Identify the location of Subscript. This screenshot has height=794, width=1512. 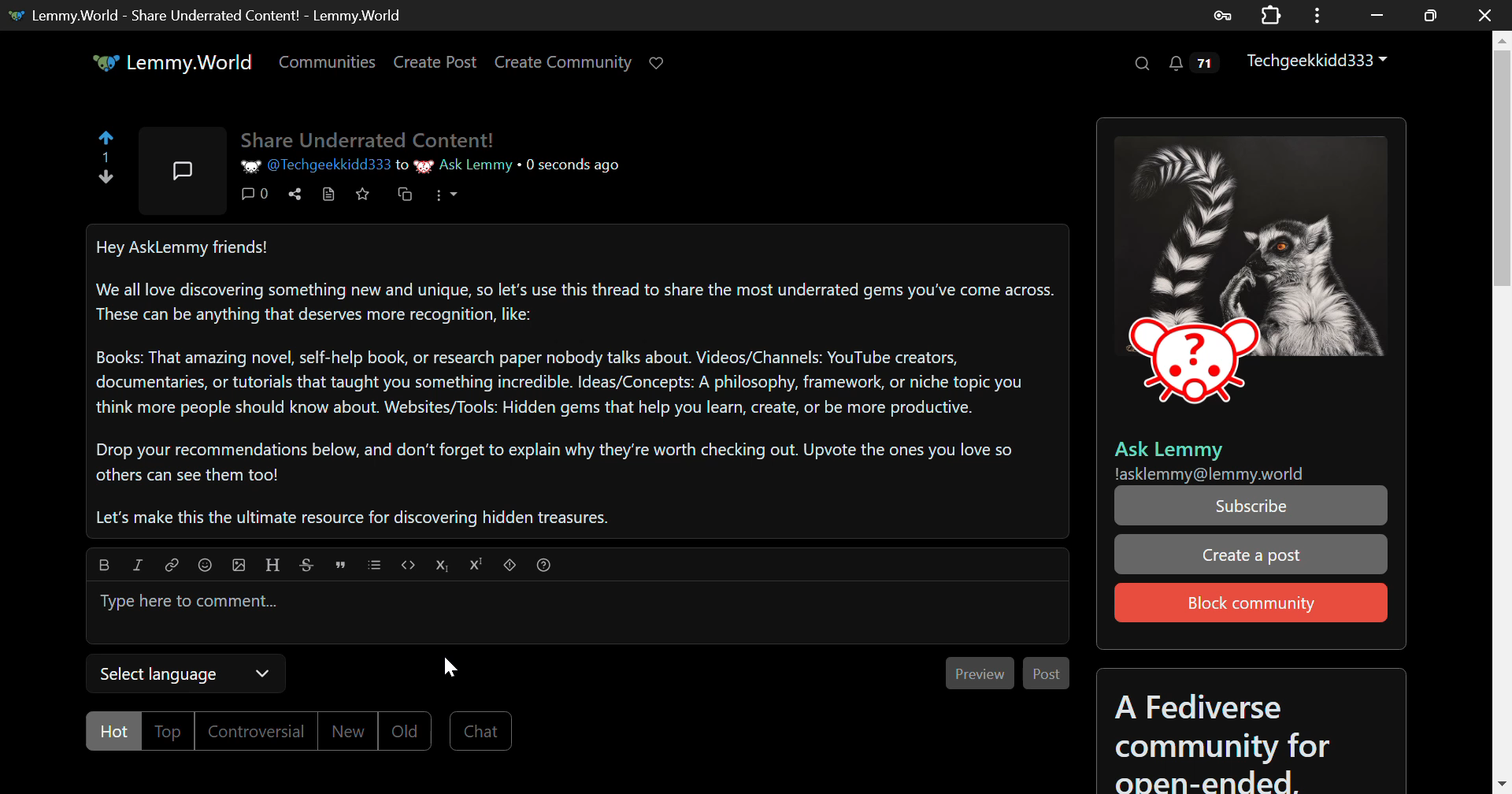
(443, 566).